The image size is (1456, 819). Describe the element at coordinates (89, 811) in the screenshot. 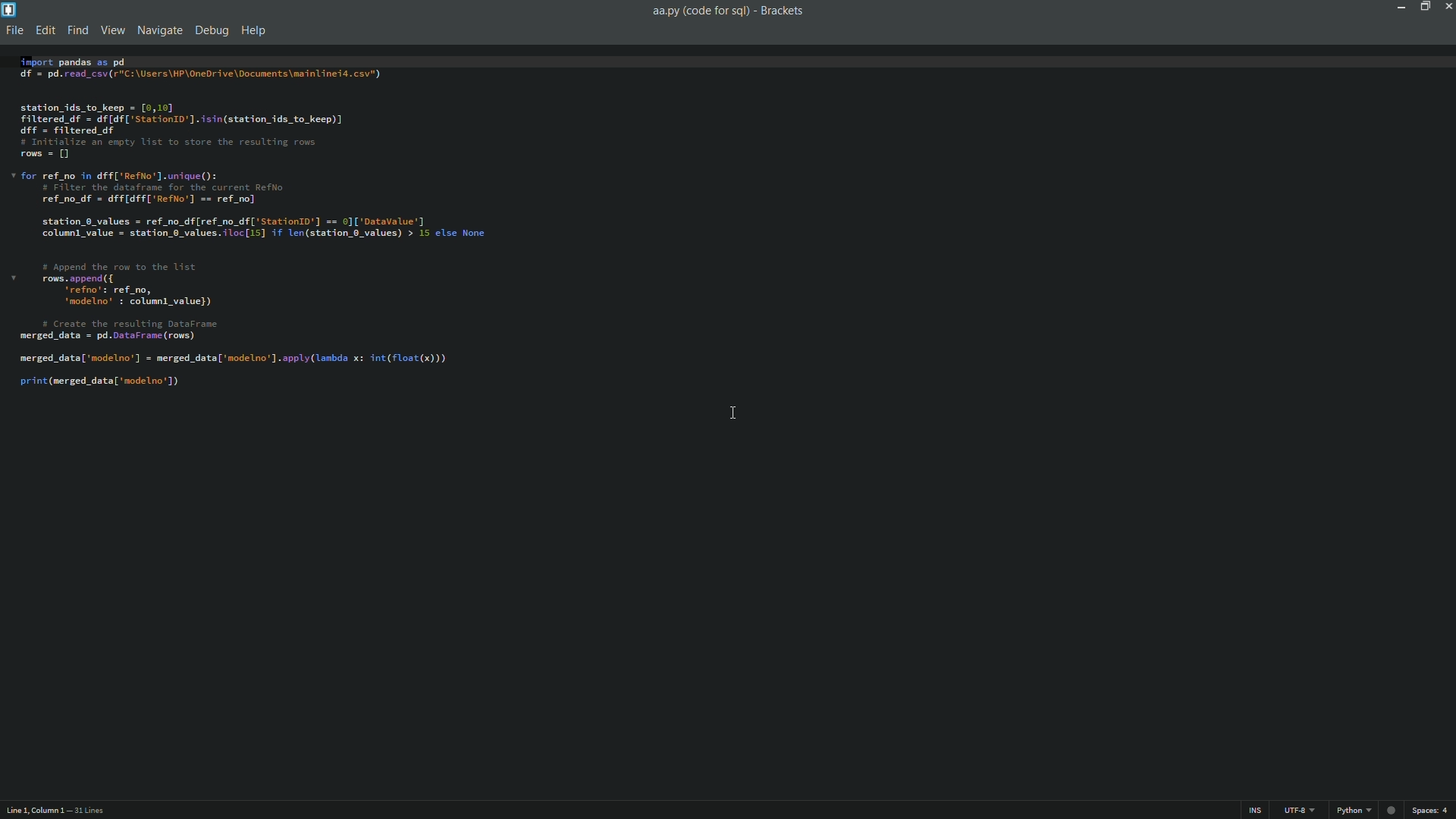

I see `28 lines` at that location.